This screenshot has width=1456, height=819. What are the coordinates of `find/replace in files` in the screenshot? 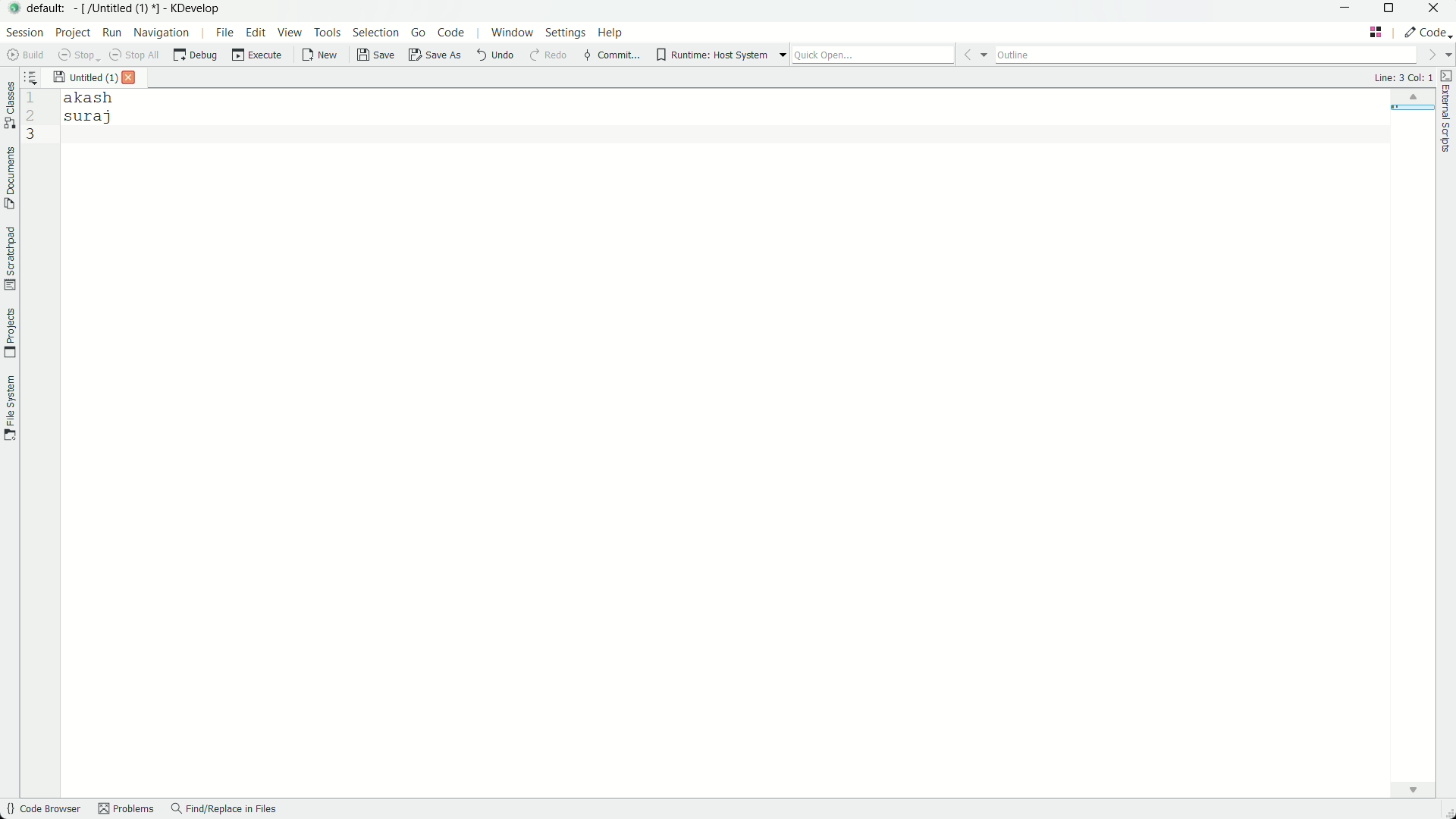 It's located at (225, 810).